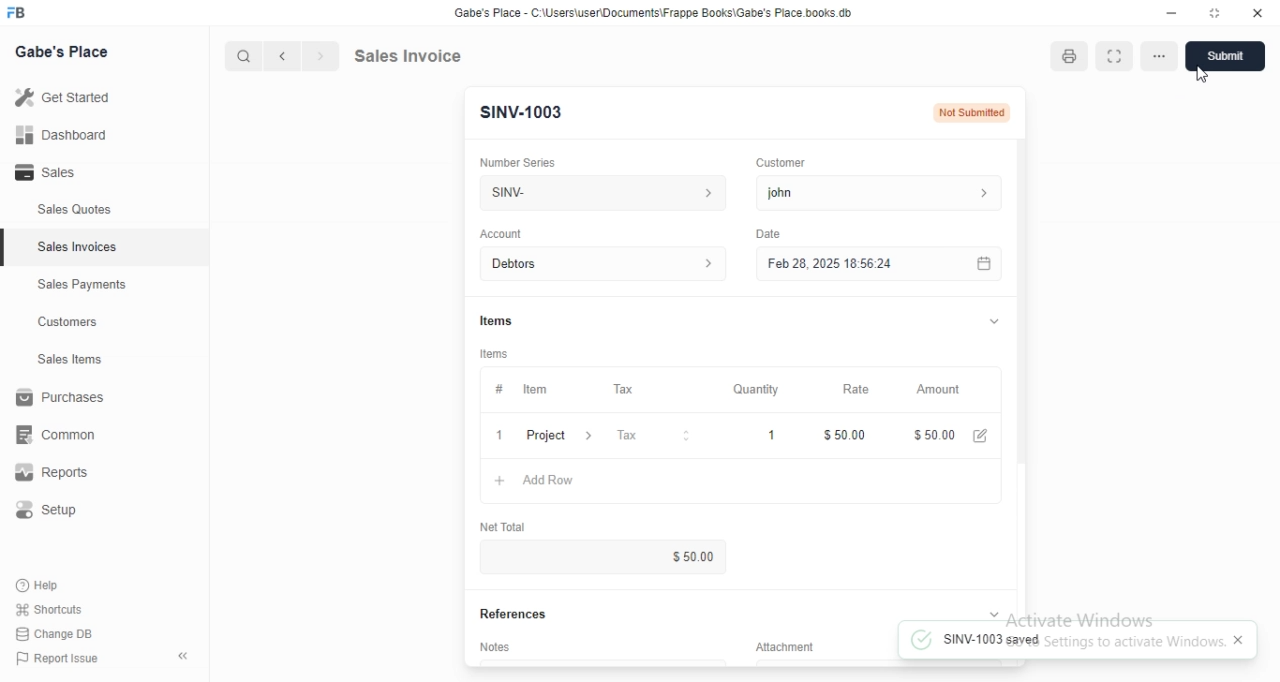 The width and height of the screenshot is (1280, 682). What do you see at coordinates (668, 557) in the screenshot?
I see `$0.00` at bounding box center [668, 557].